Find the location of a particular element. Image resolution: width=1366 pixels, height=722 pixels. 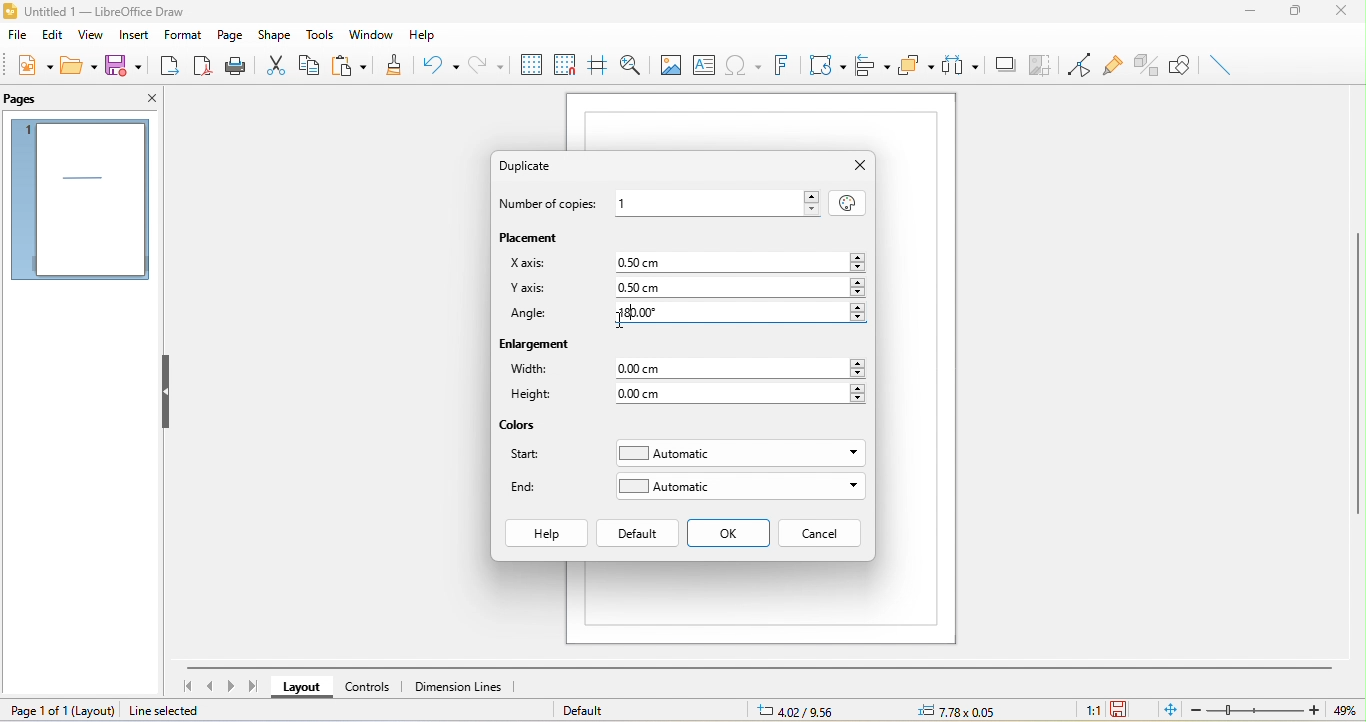

print is located at coordinates (238, 68).